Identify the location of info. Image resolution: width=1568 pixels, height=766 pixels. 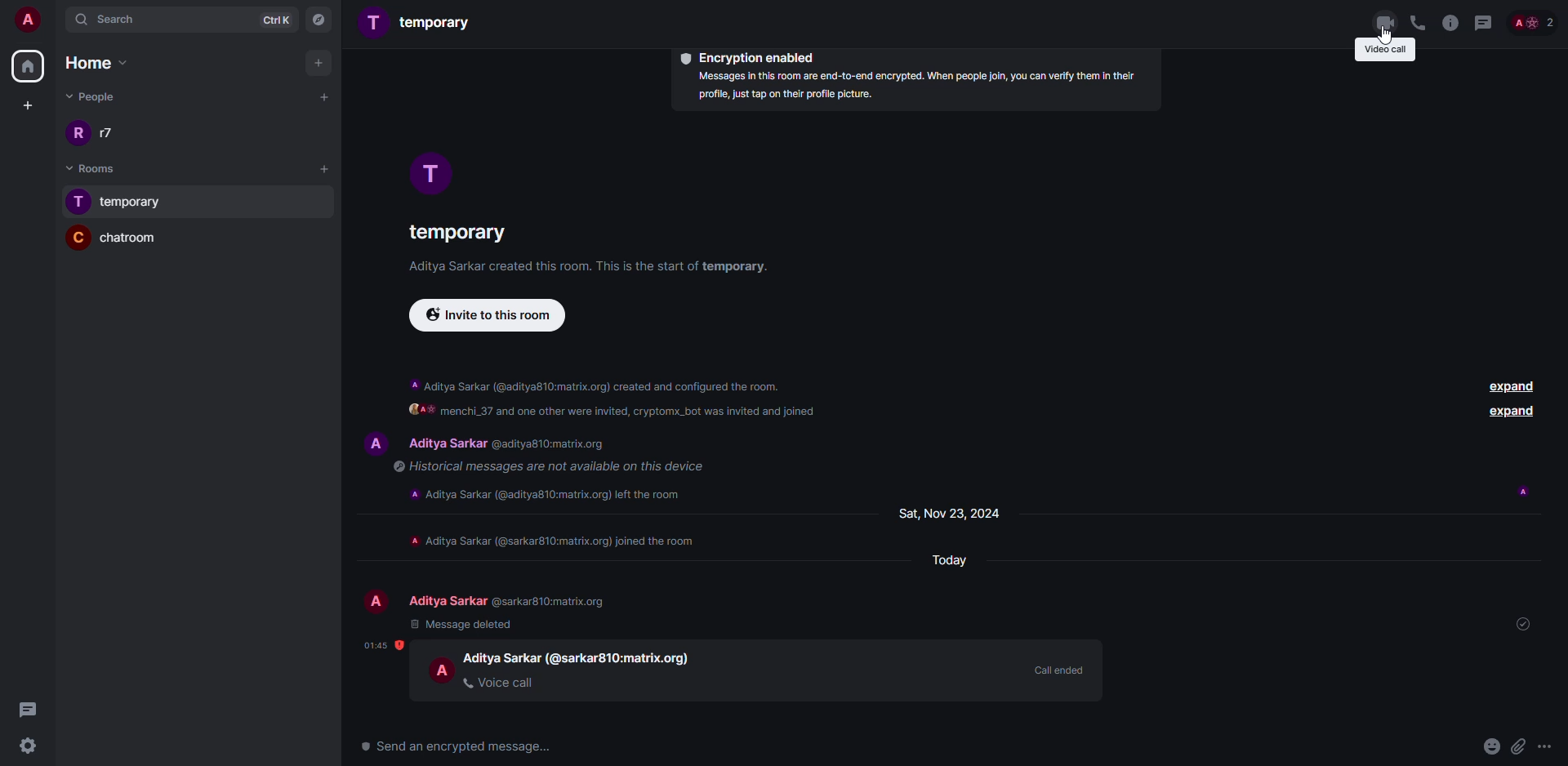
(615, 399).